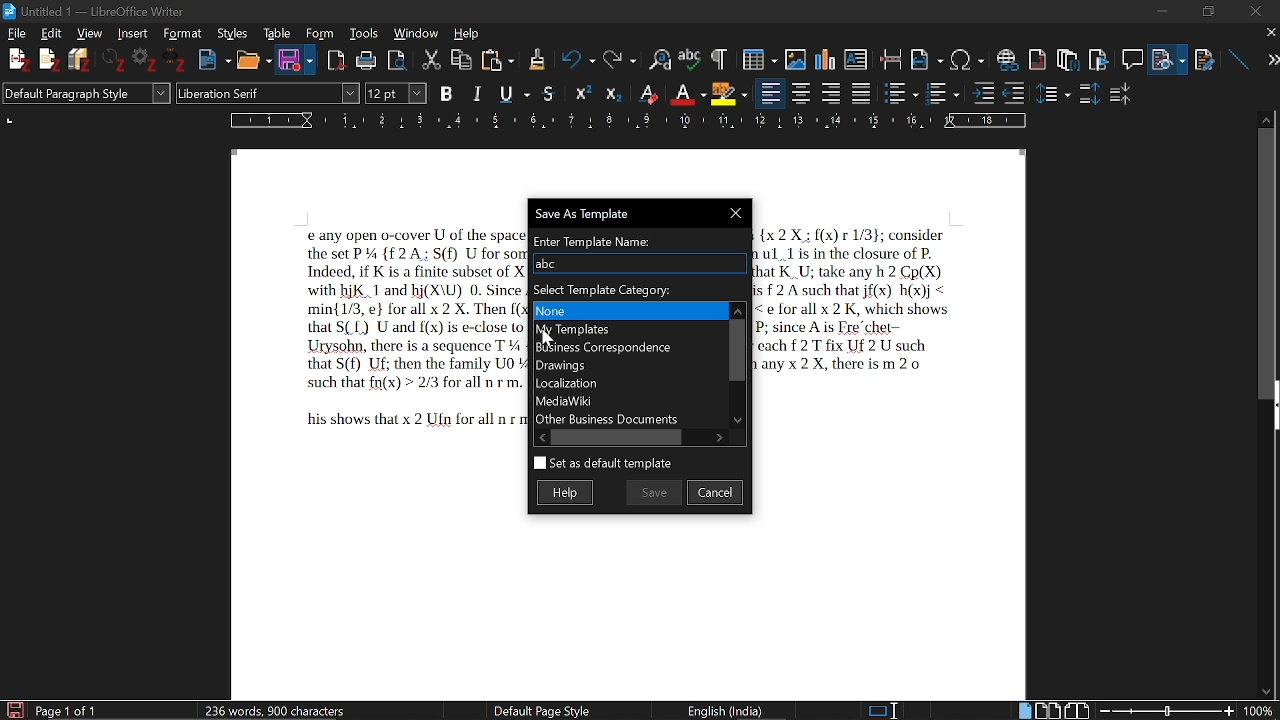  I want to click on Horizontal scrollbar, so click(620, 437).